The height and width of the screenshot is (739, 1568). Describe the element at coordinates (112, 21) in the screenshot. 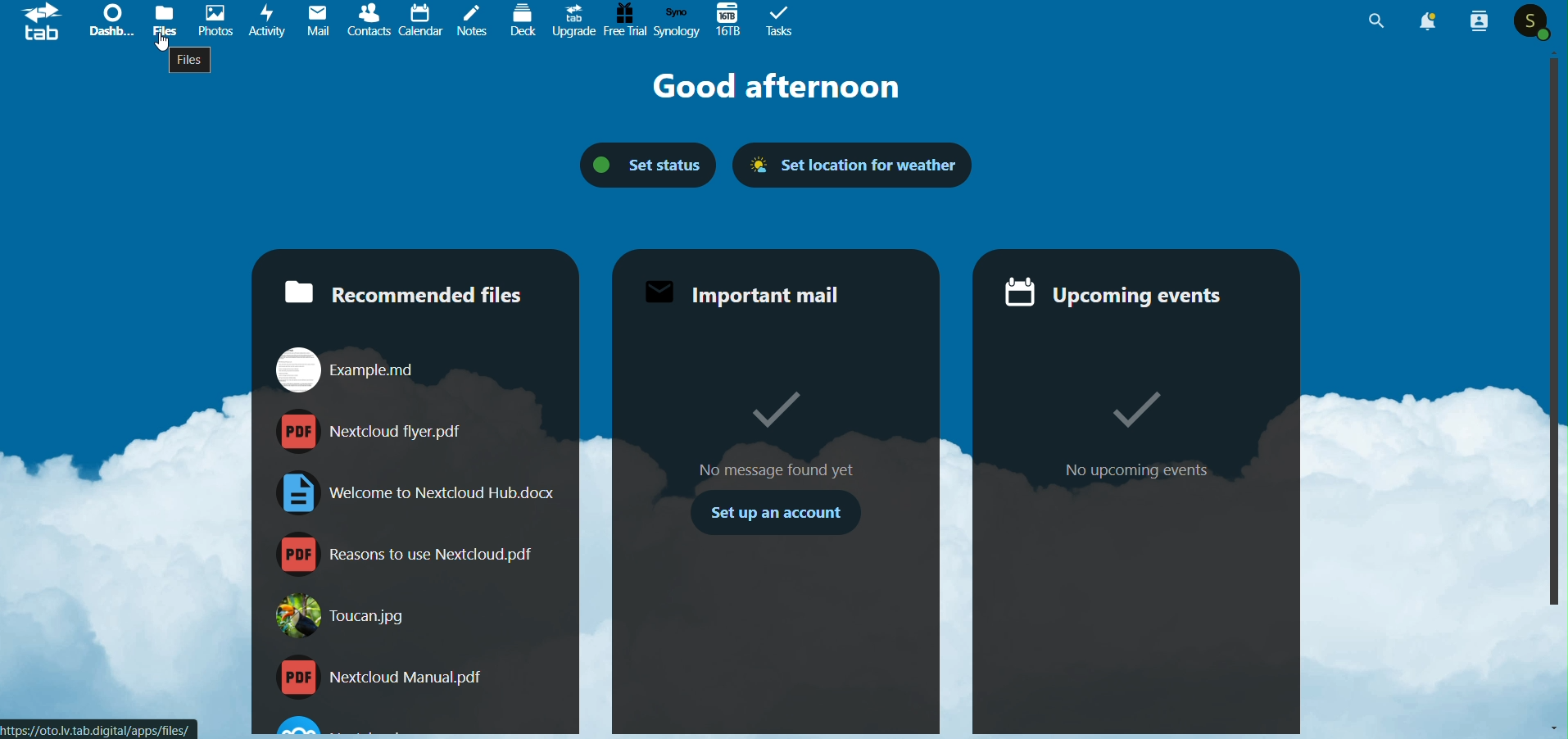

I see `Dashboard` at that location.